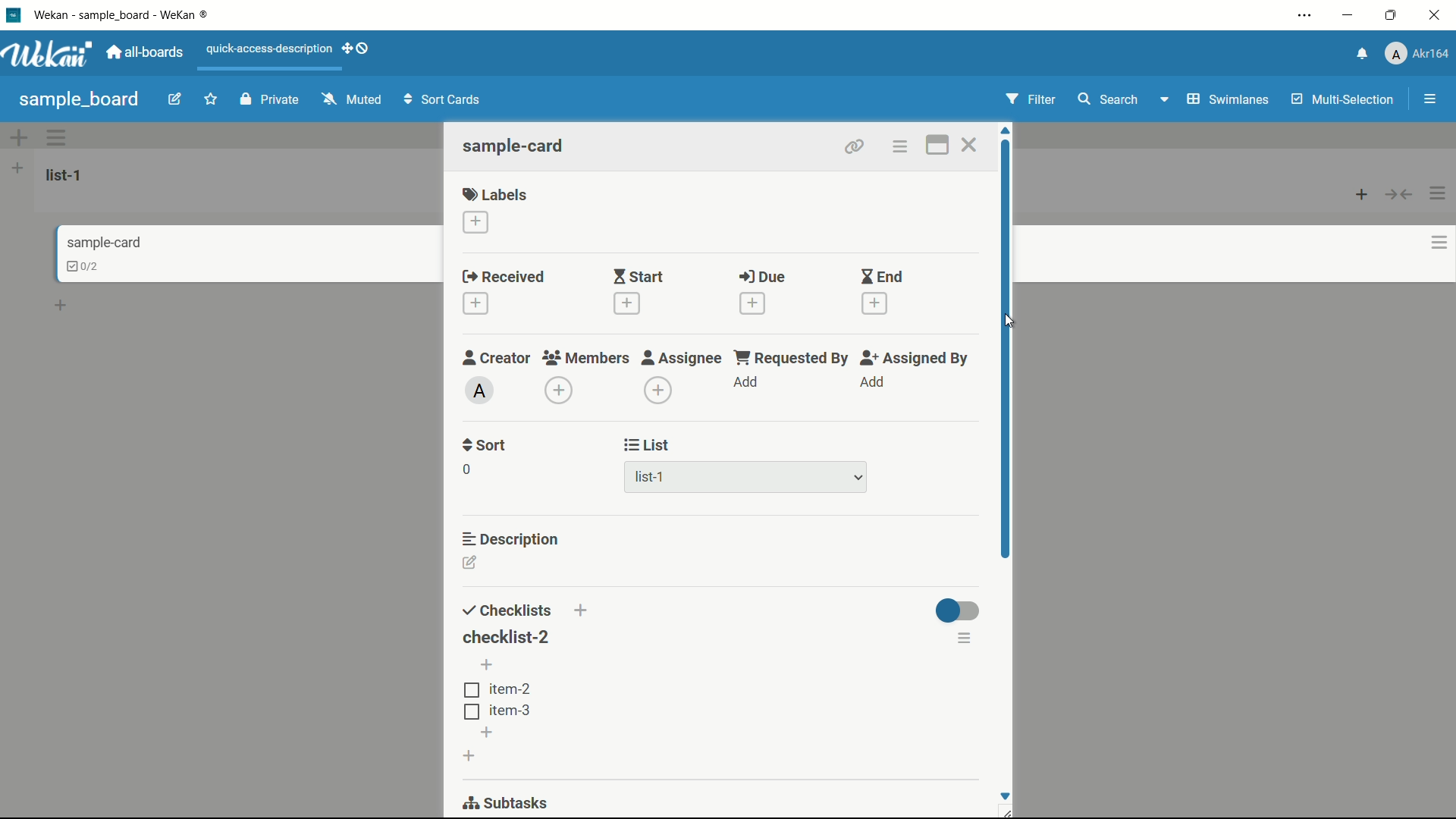 This screenshot has width=1456, height=819. Describe the element at coordinates (1032, 99) in the screenshot. I see `filter` at that location.